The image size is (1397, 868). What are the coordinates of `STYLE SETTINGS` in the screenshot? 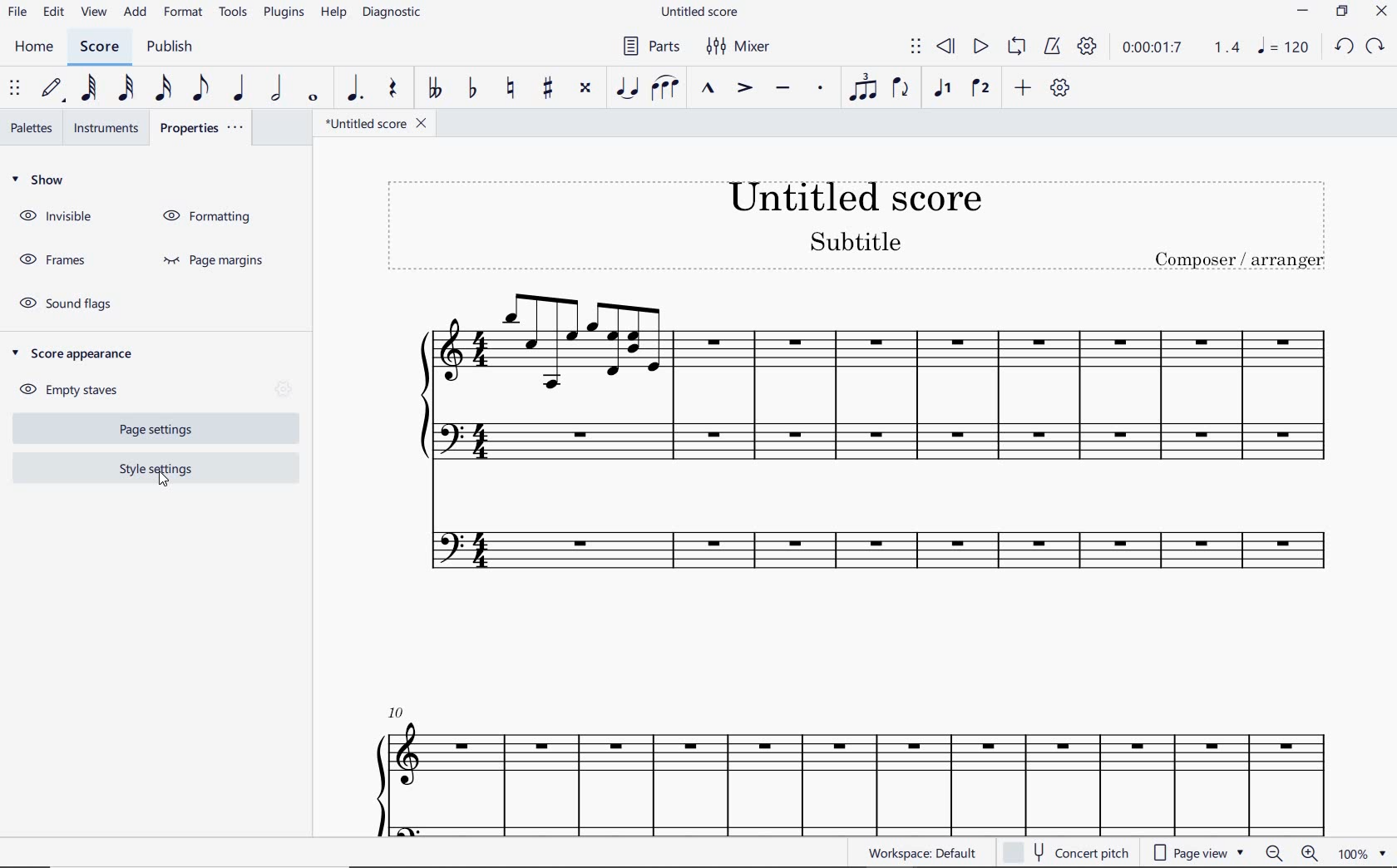 It's located at (154, 468).